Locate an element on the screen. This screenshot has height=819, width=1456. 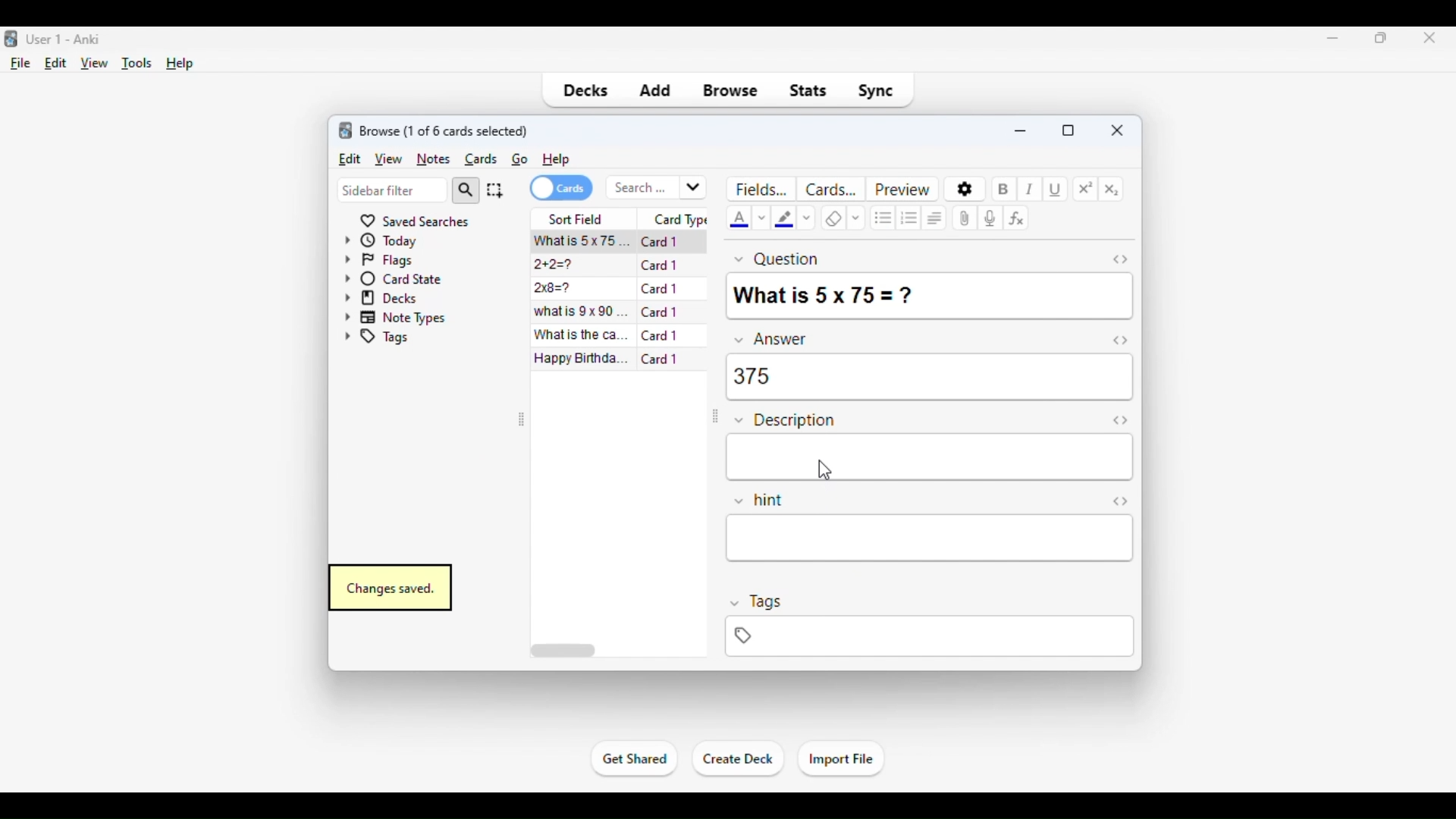
browse is located at coordinates (731, 91).